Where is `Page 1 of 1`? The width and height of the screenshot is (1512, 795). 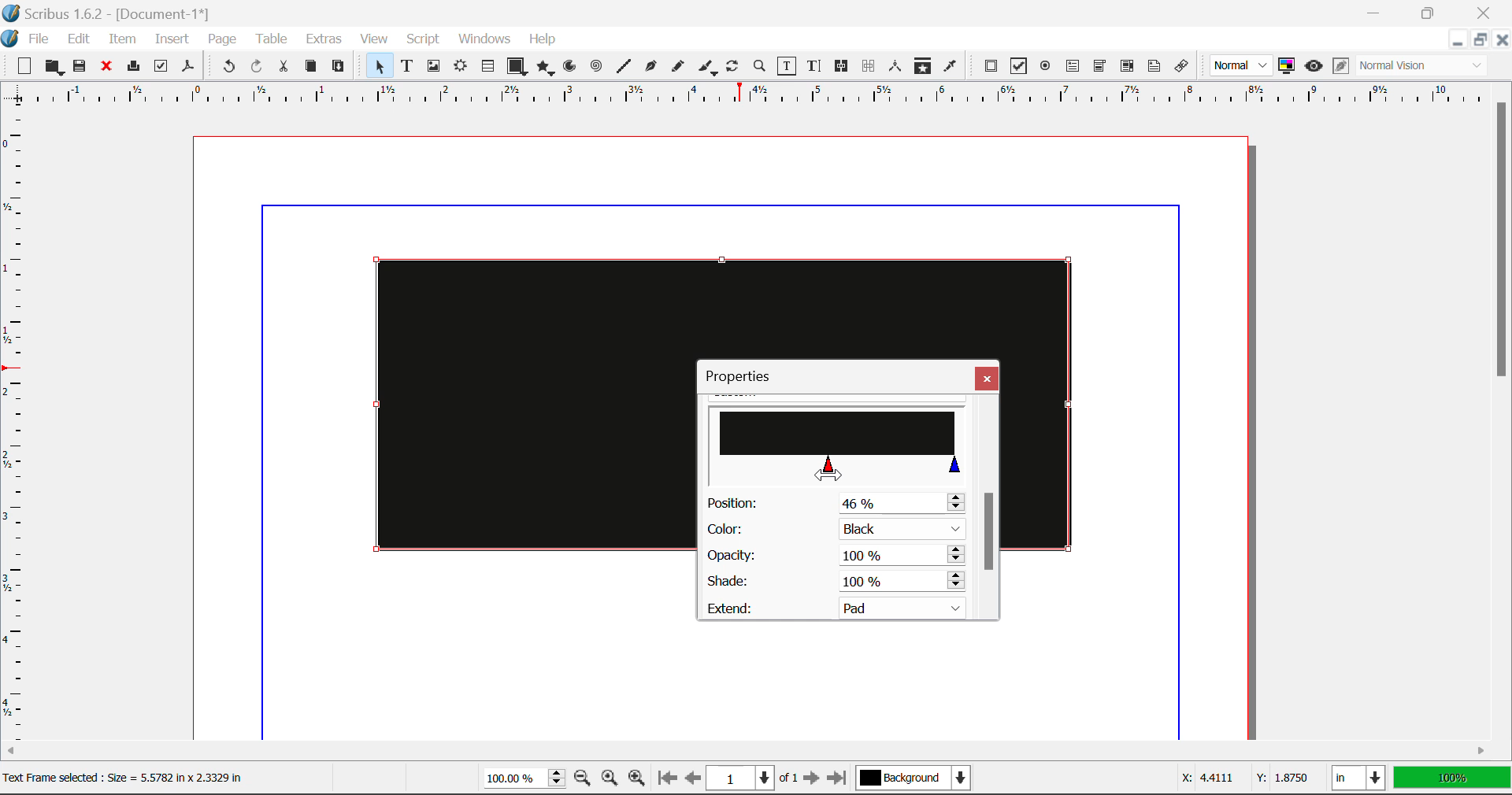
Page 1 of 1 is located at coordinates (752, 780).